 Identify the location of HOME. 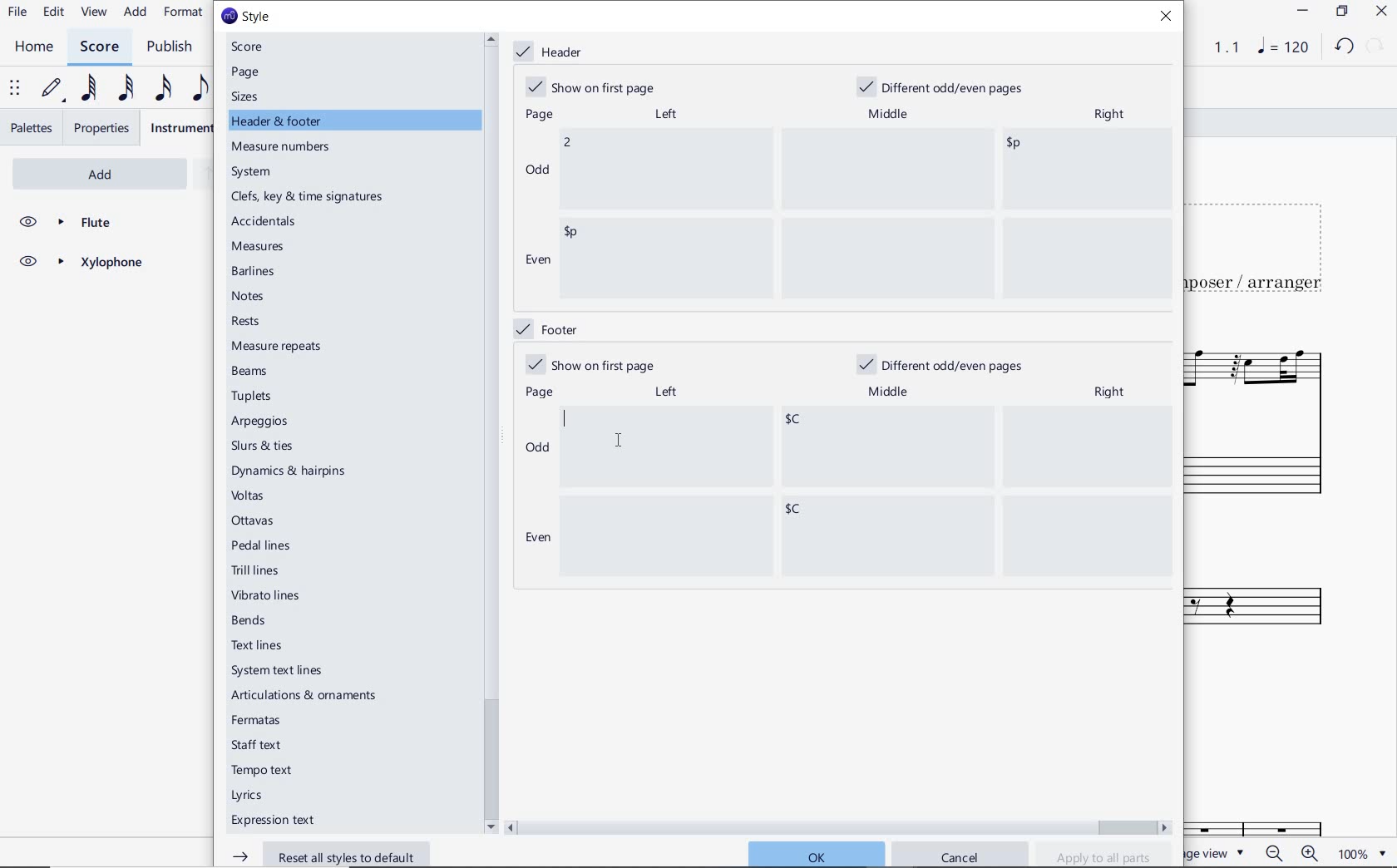
(34, 47).